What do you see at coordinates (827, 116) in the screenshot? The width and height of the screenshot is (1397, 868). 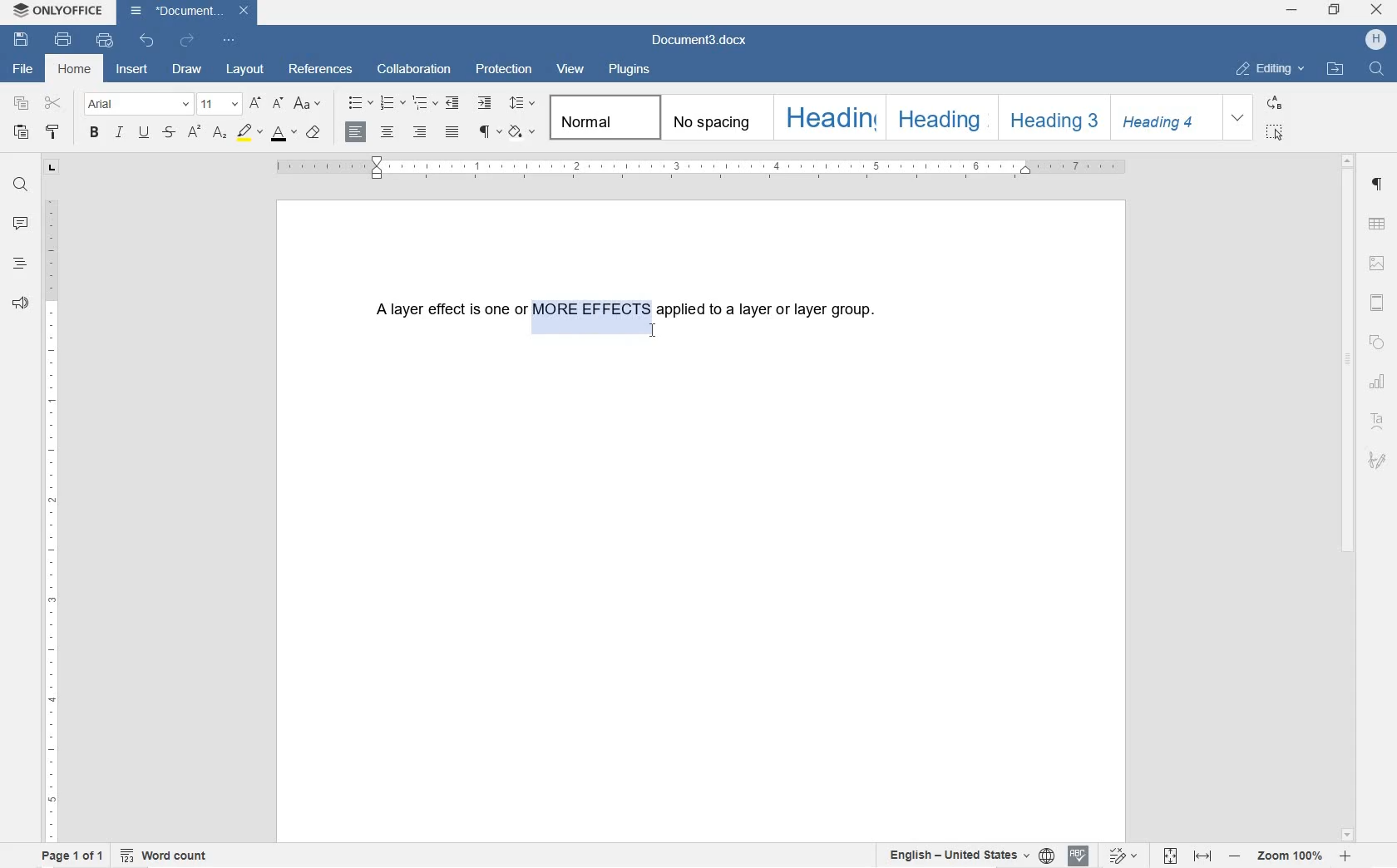 I see `HEADING 1` at bounding box center [827, 116].